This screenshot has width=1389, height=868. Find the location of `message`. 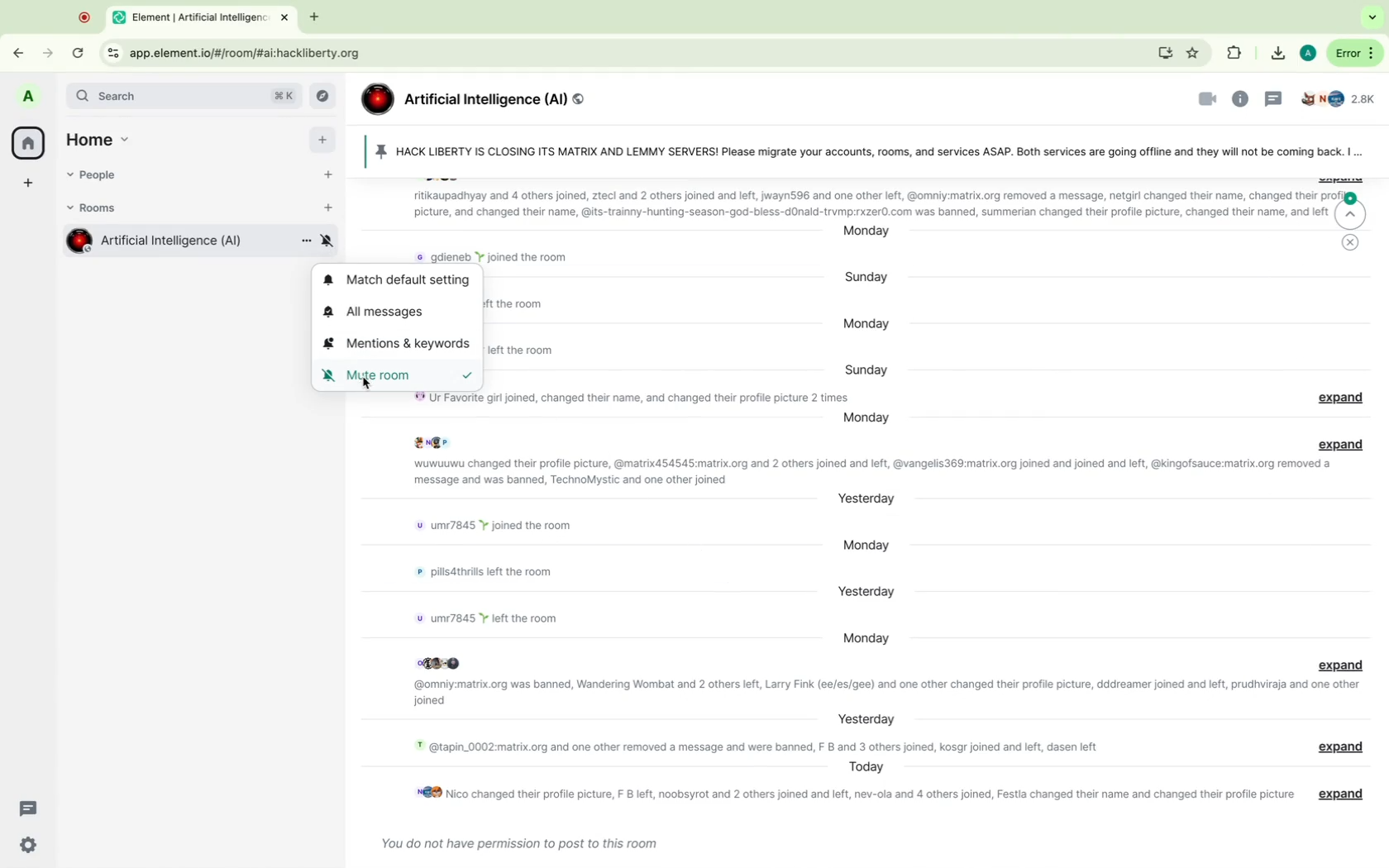

message is located at coordinates (514, 305).